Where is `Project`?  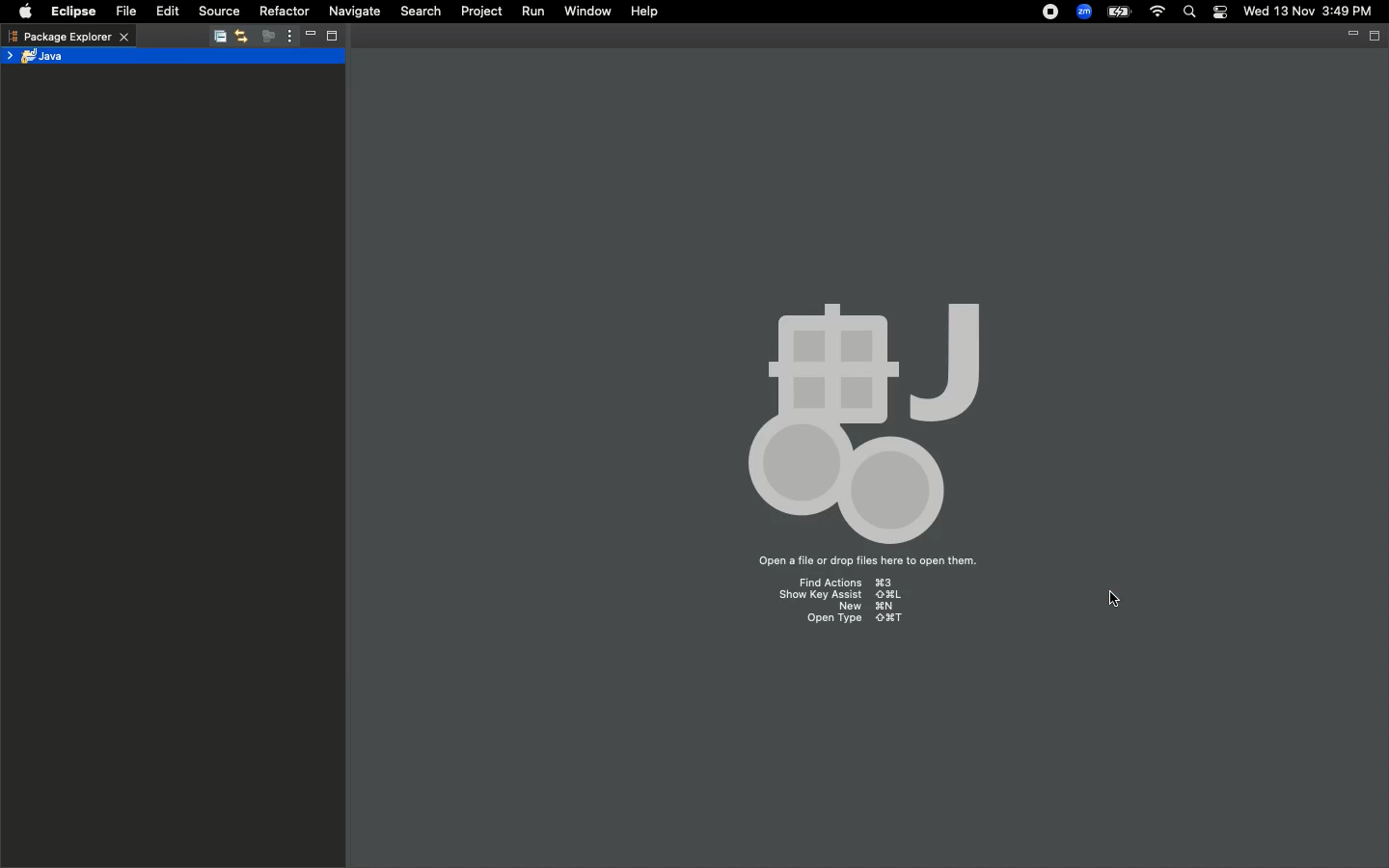 Project is located at coordinates (482, 13).